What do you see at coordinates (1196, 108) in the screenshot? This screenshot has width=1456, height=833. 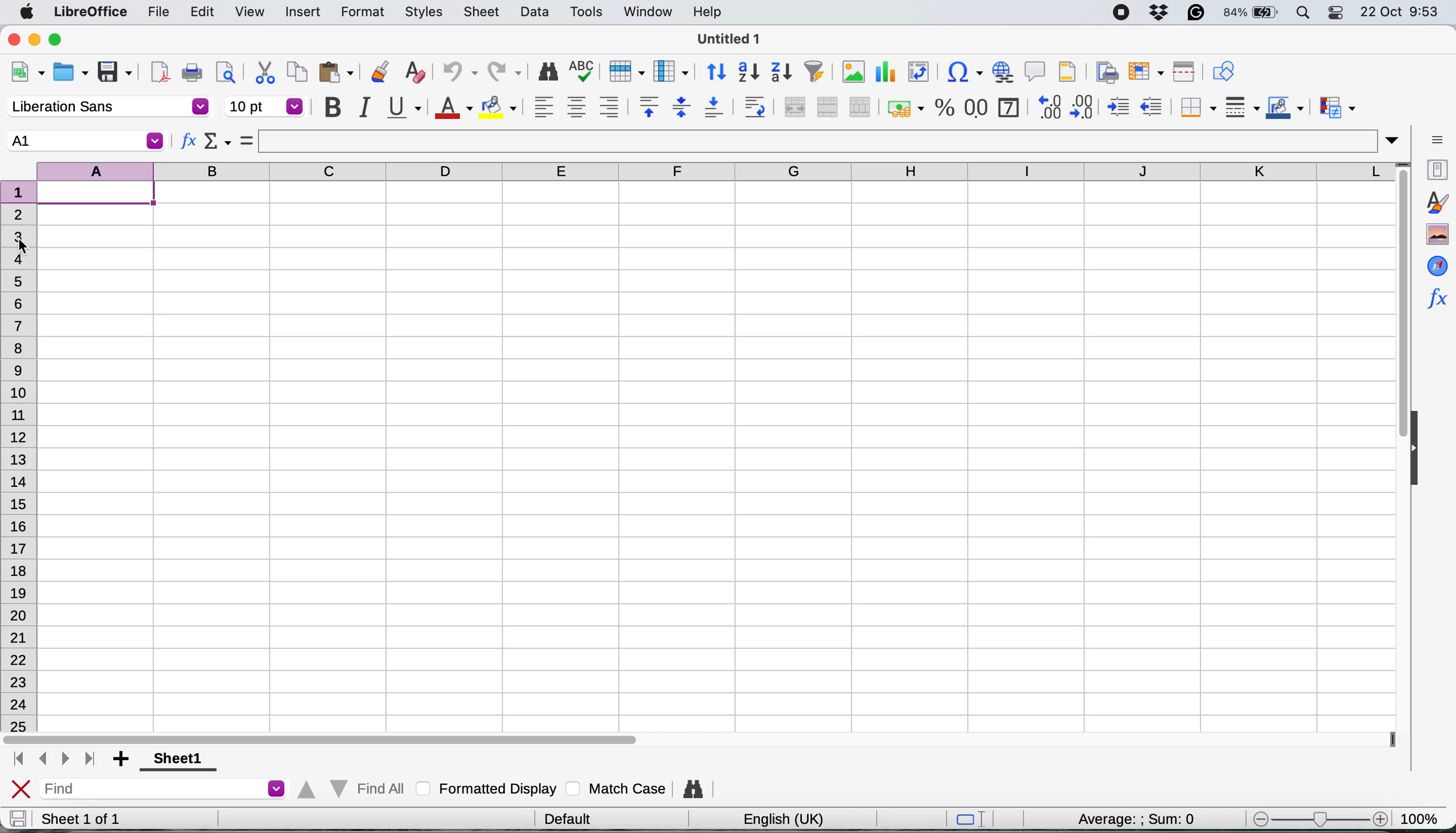 I see `borders` at bounding box center [1196, 108].